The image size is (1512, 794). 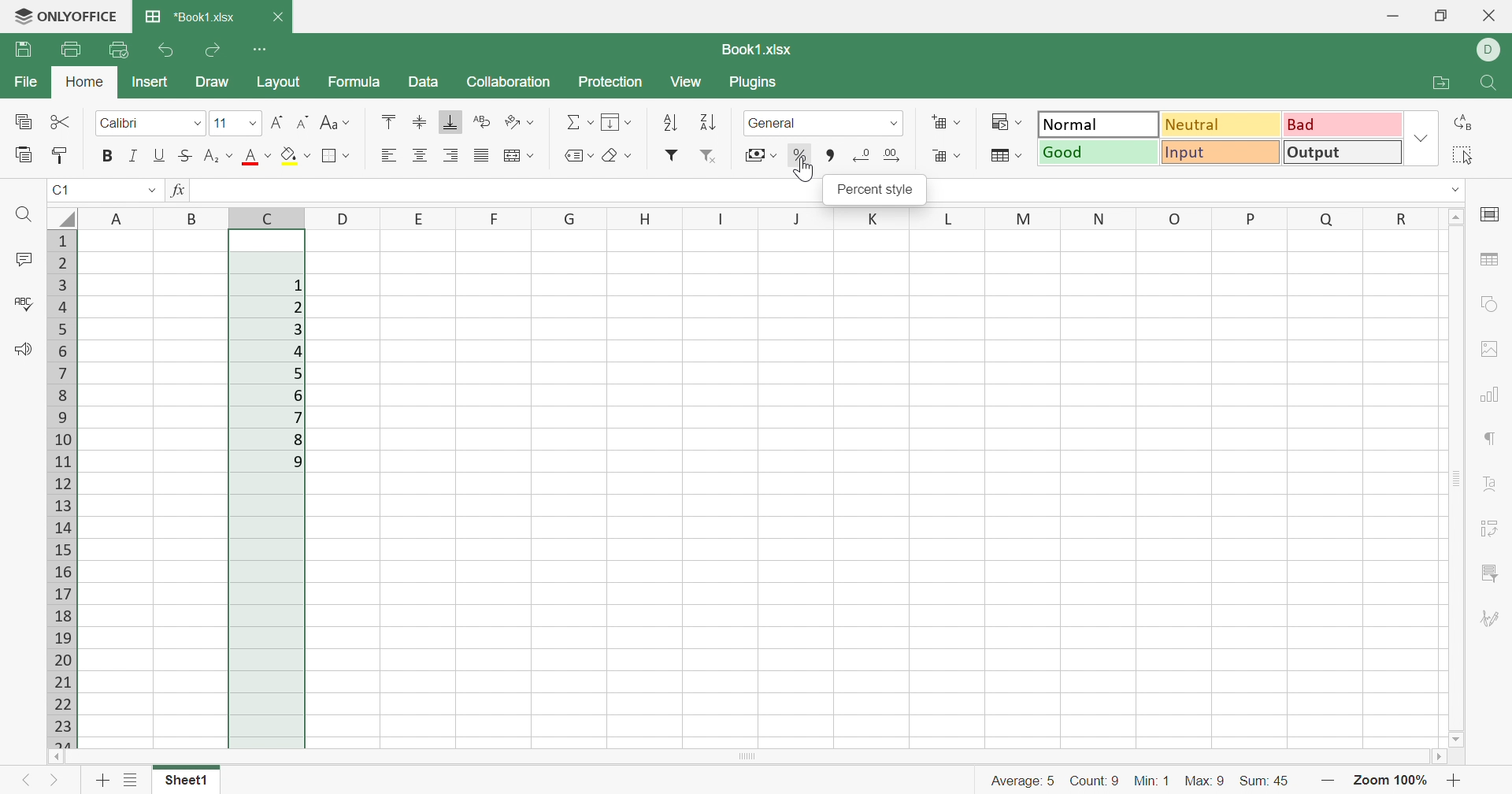 What do you see at coordinates (110, 158) in the screenshot?
I see `Bold` at bounding box center [110, 158].